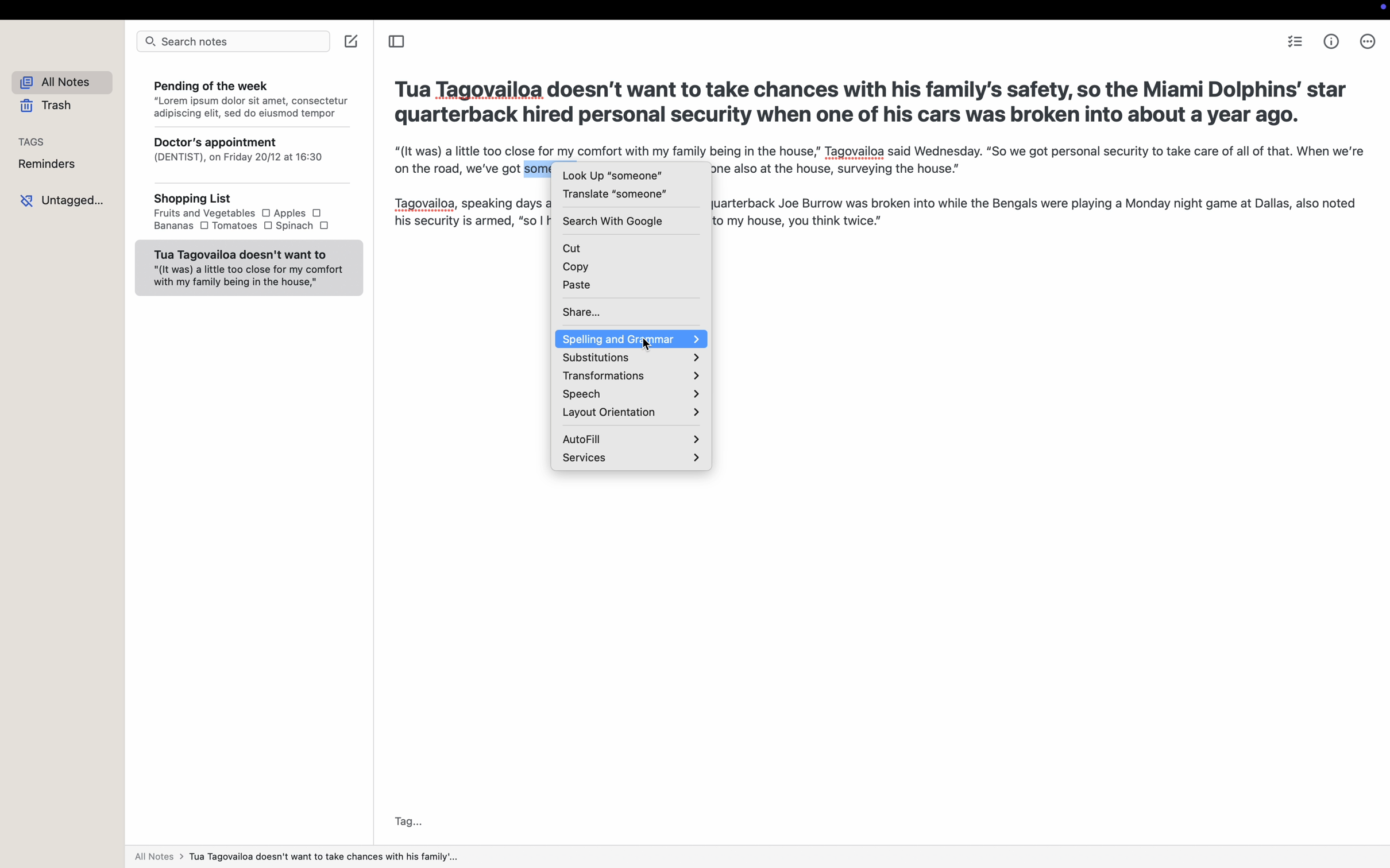 This screenshot has width=1390, height=868. What do you see at coordinates (873, 100) in the screenshot?
I see `Tua Tagovailoa doesn’t want to take chances with his family's safety, so the Miami Dolphins’ star
quarterback hired personal security when one of his cars was broken into about a year ago.` at bounding box center [873, 100].